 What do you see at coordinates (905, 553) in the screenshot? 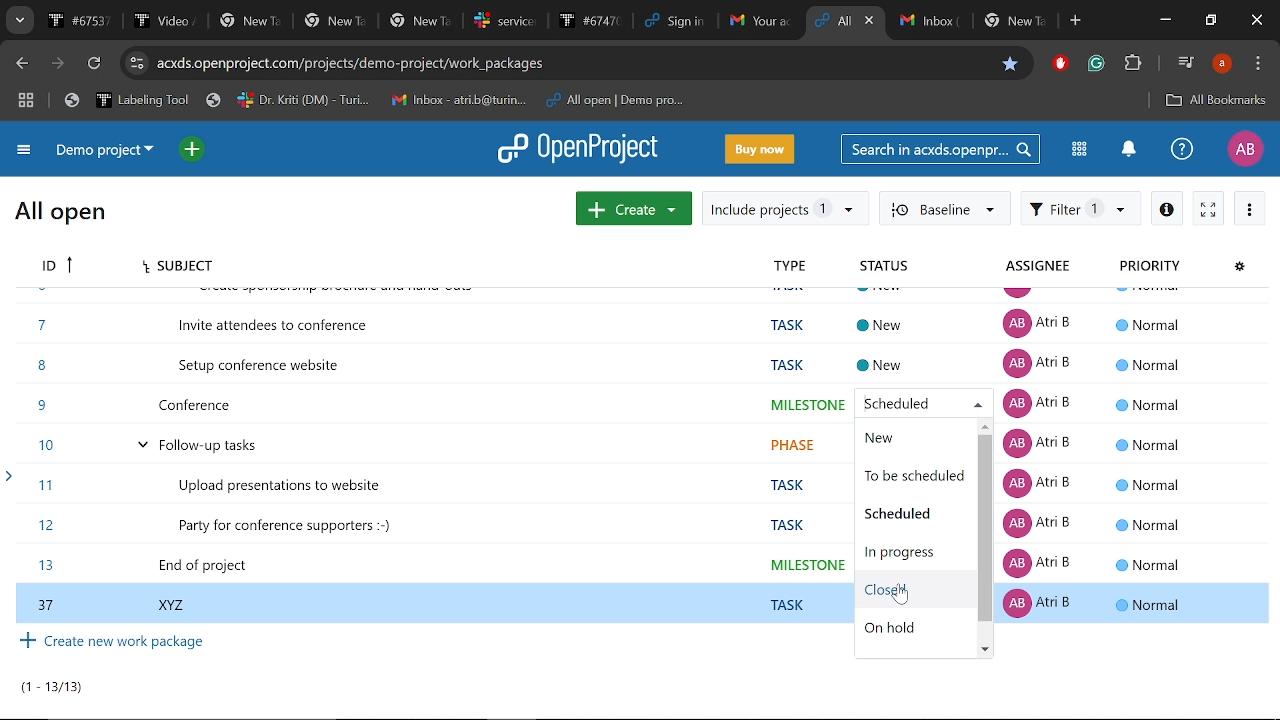
I see `Project status "In progress"` at bounding box center [905, 553].